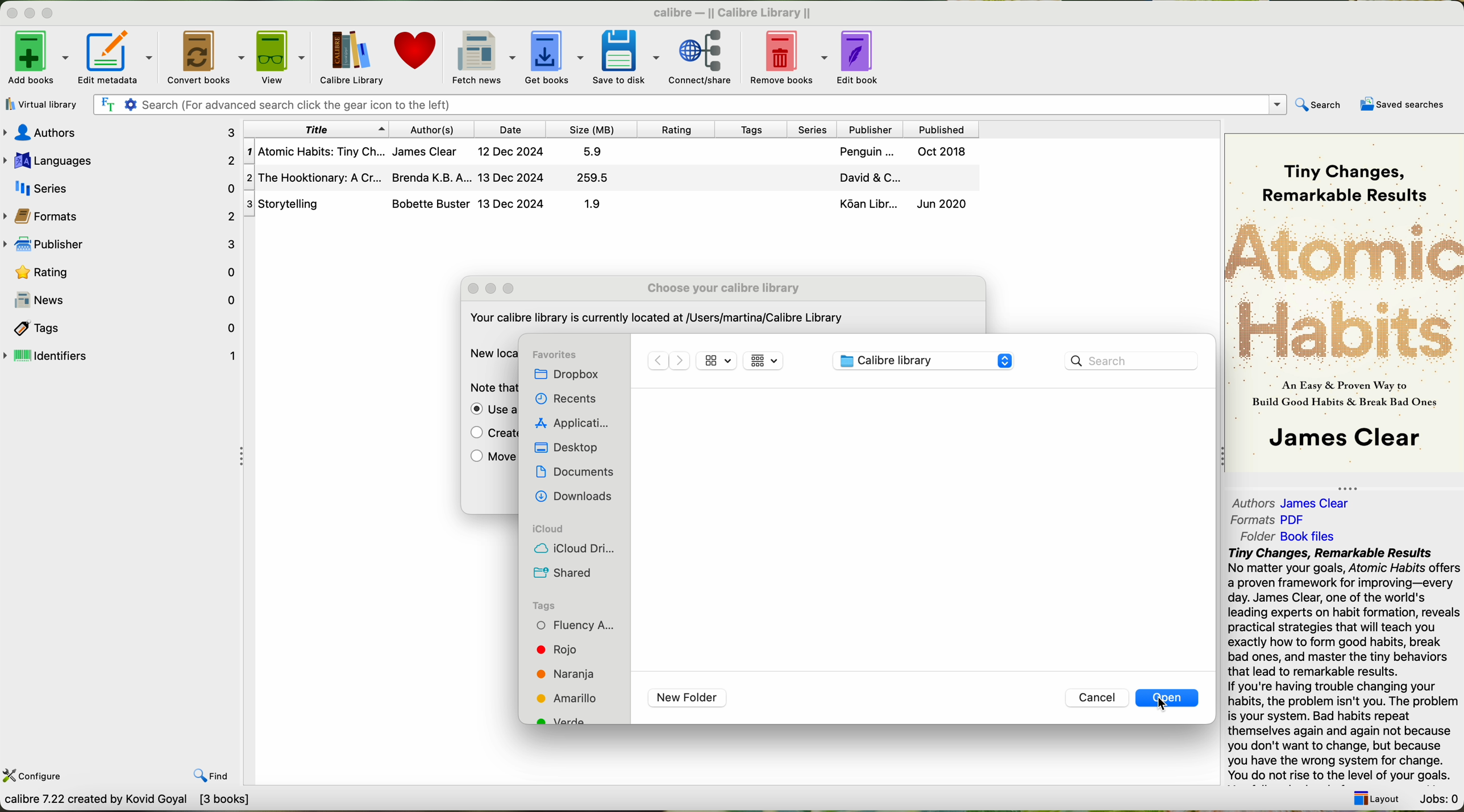 This screenshot has height=812, width=1464. I want to click on title, so click(315, 130).